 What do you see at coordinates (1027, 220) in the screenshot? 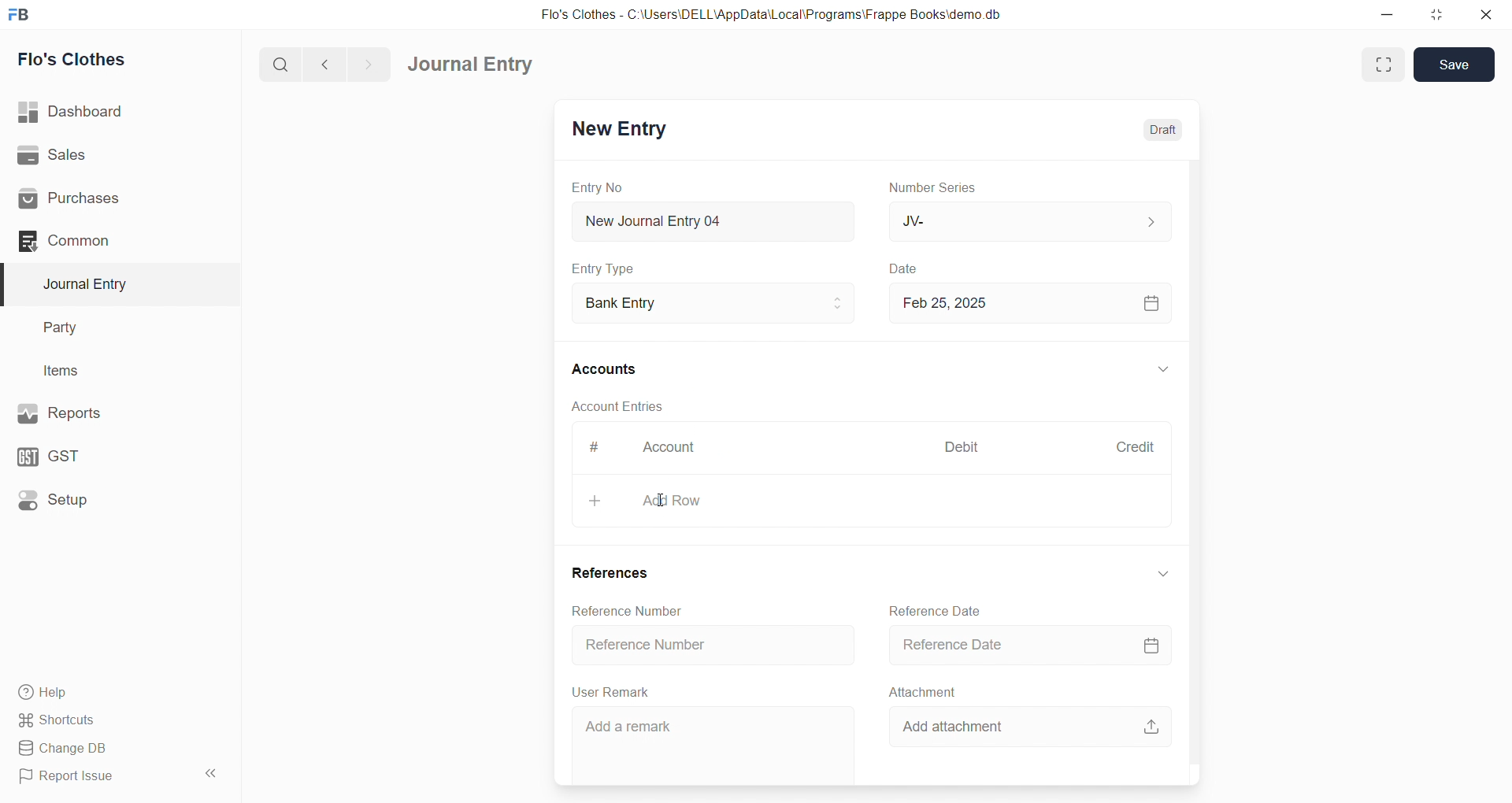
I see `JV-` at bounding box center [1027, 220].